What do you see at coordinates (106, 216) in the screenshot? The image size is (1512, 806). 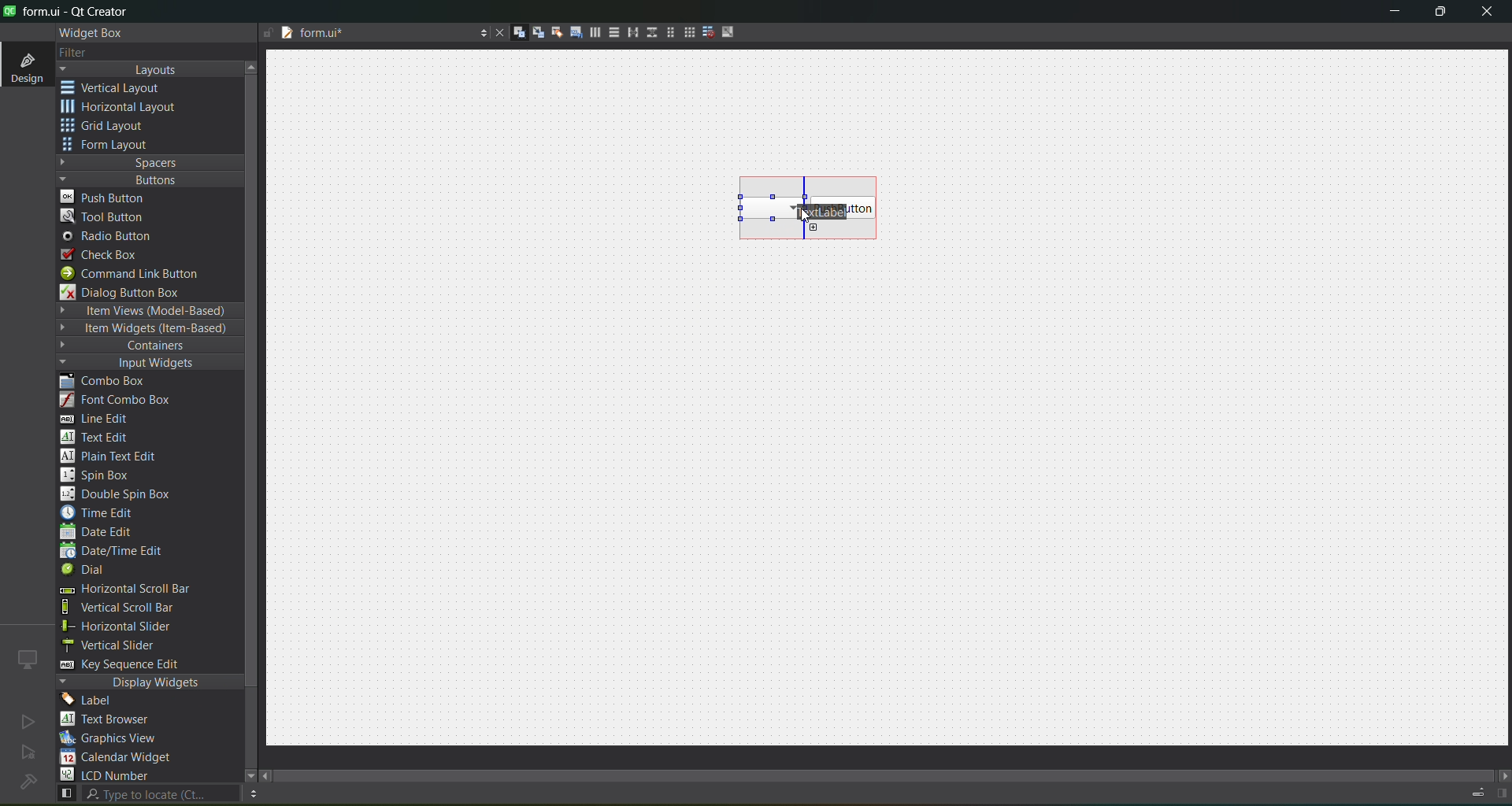 I see `tool` at bounding box center [106, 216].